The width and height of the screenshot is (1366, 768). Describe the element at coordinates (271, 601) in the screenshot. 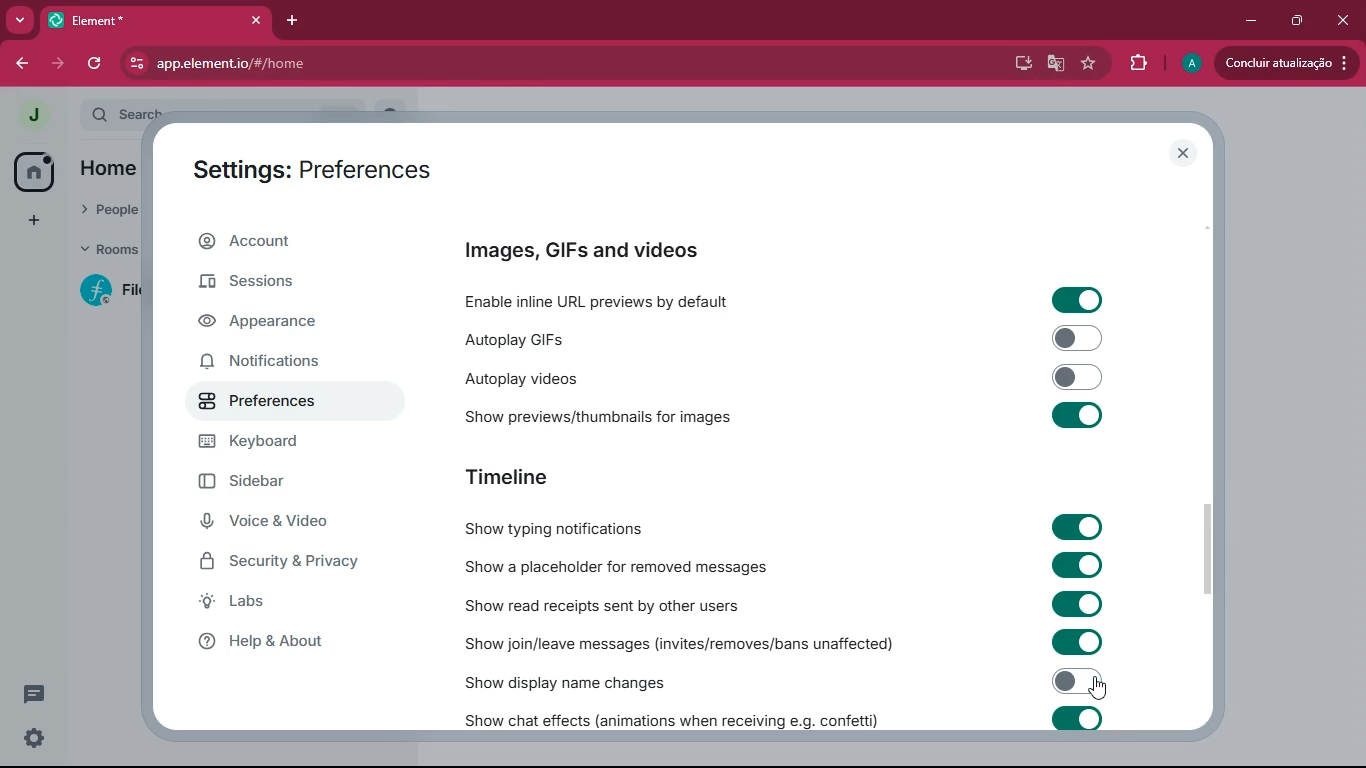

I see `labs` at that location.